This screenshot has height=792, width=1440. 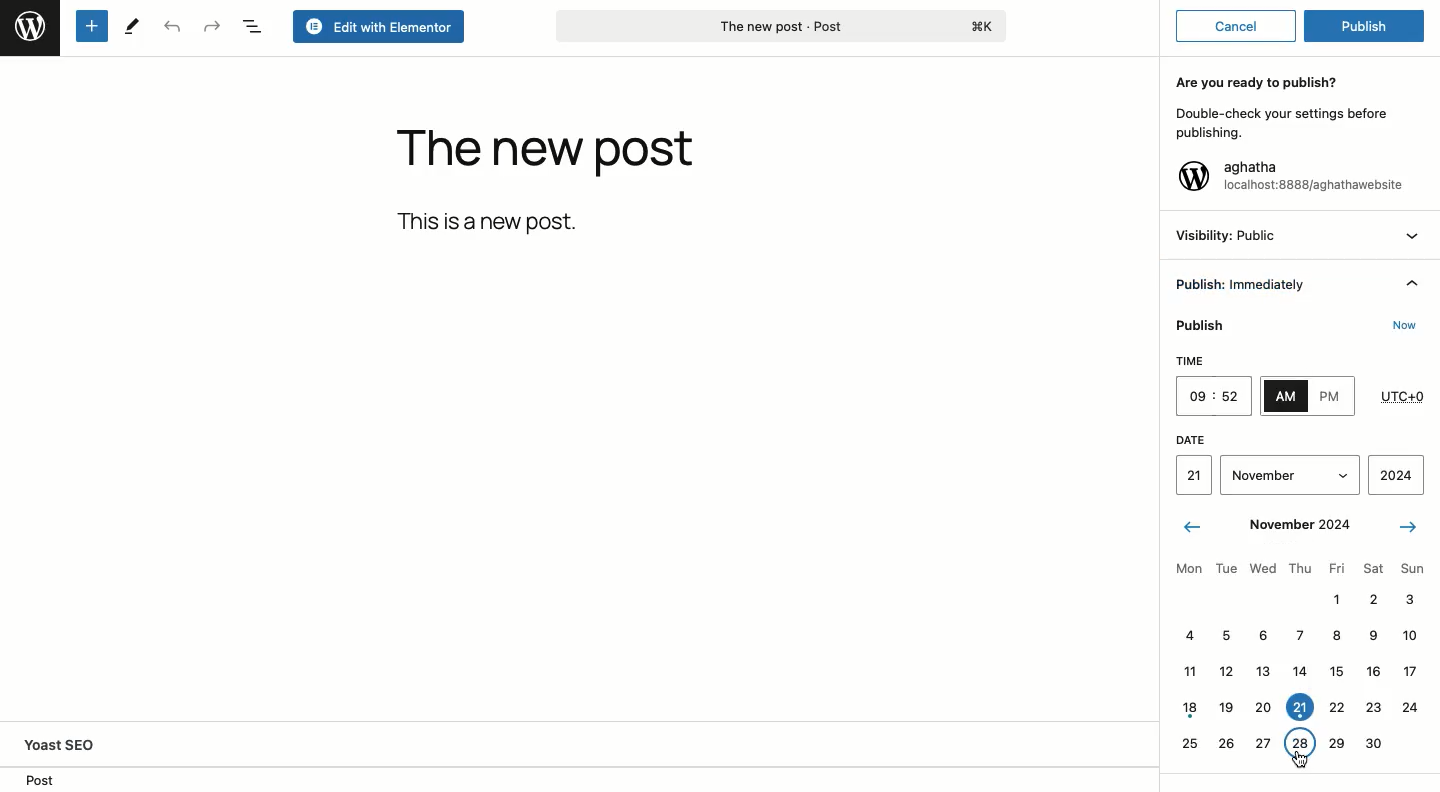 I want to click on 23, so click(x=1371, y=708).